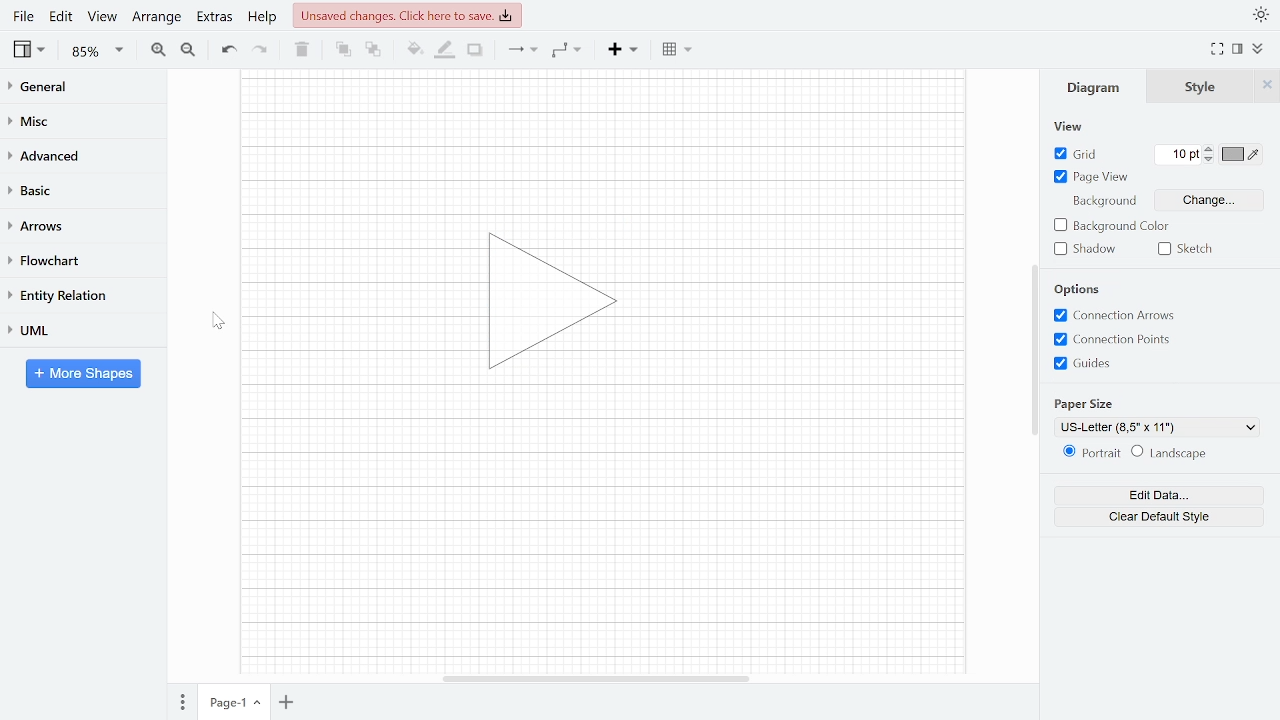  I want to click on Fill line, so click(444, 50).